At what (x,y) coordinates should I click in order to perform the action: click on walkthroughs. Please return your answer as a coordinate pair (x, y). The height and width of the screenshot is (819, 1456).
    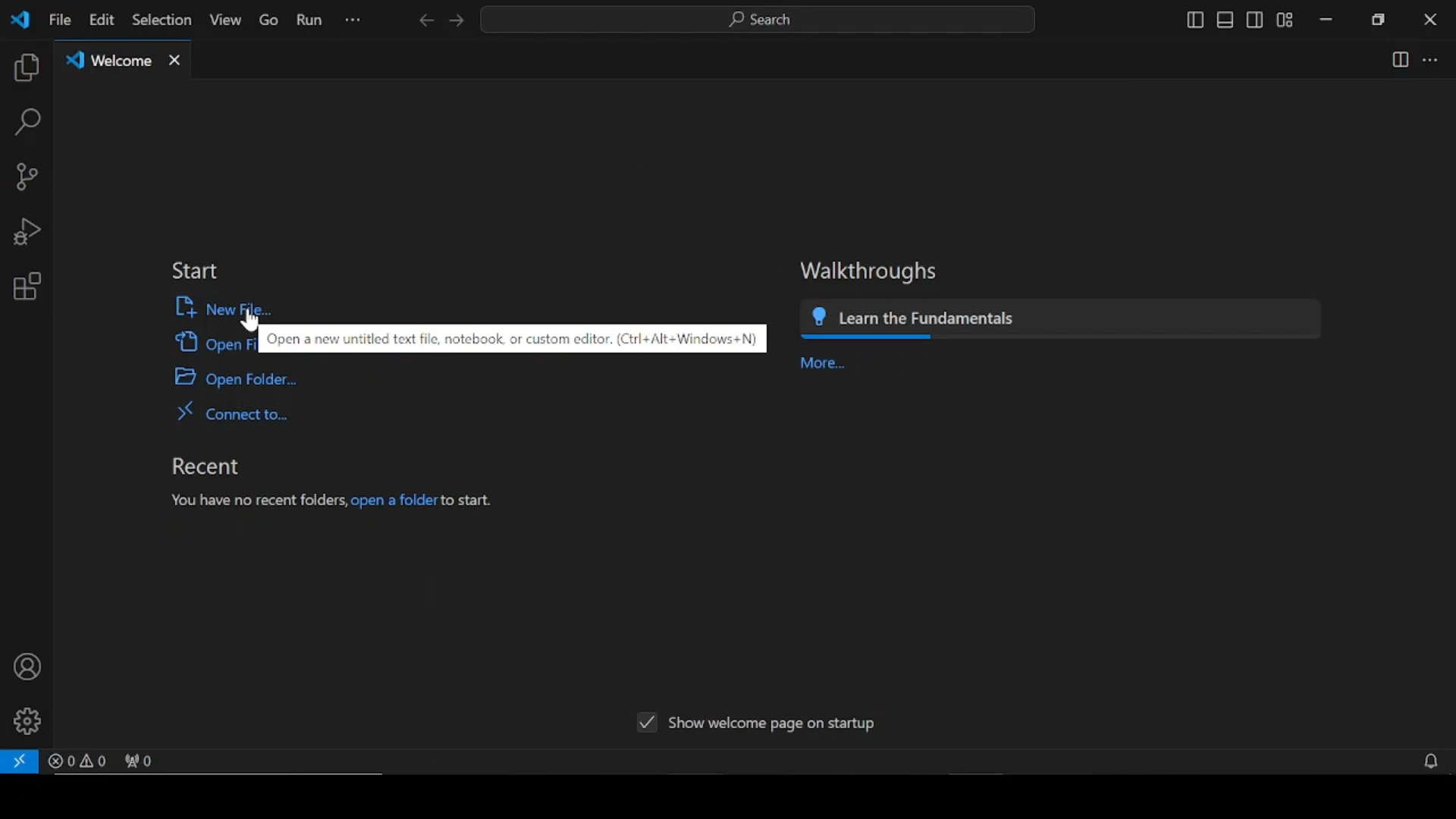
    Looking at the image, I should click on (871, 272).